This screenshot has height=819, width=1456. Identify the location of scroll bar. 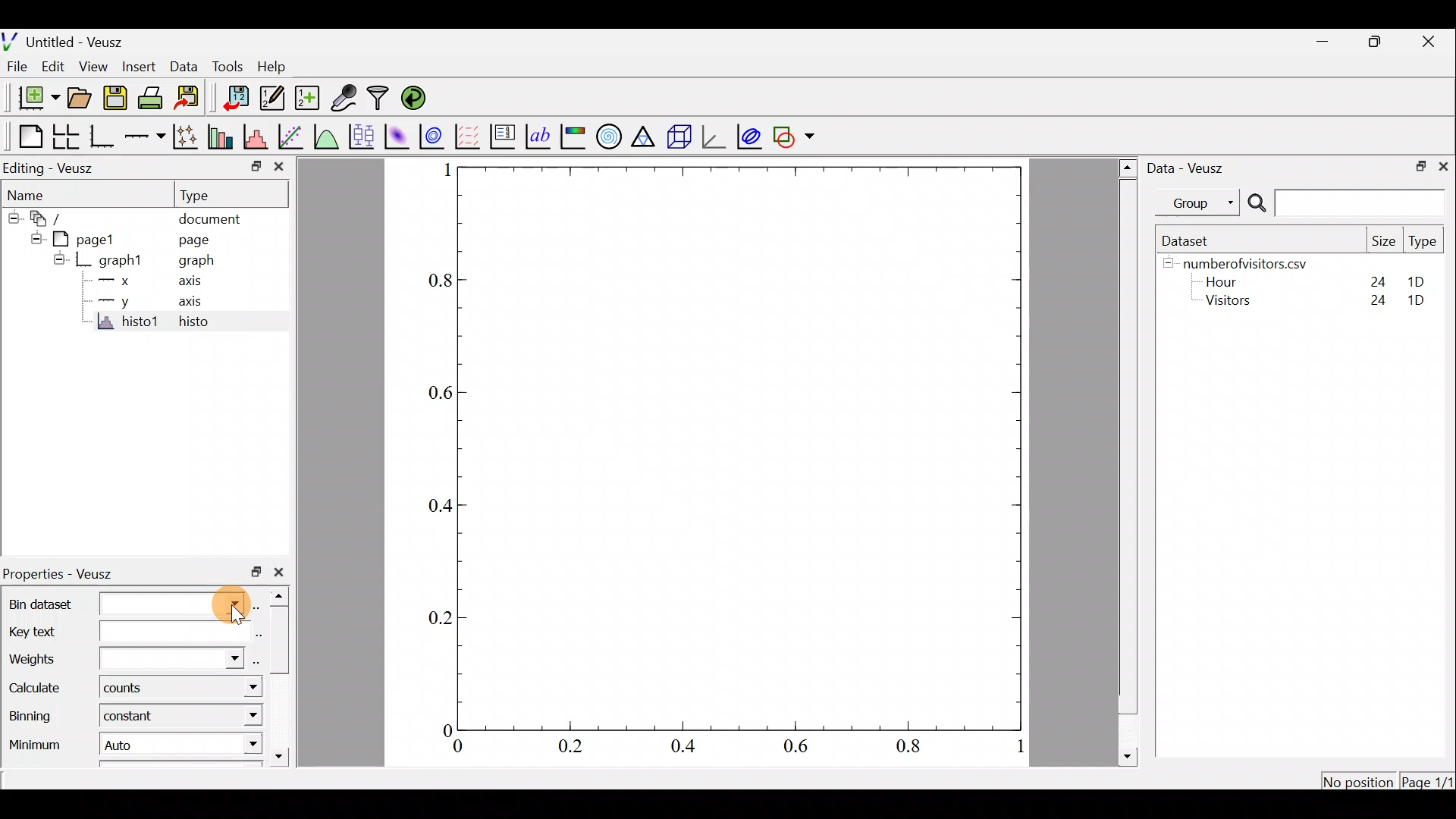
(1125, 460).